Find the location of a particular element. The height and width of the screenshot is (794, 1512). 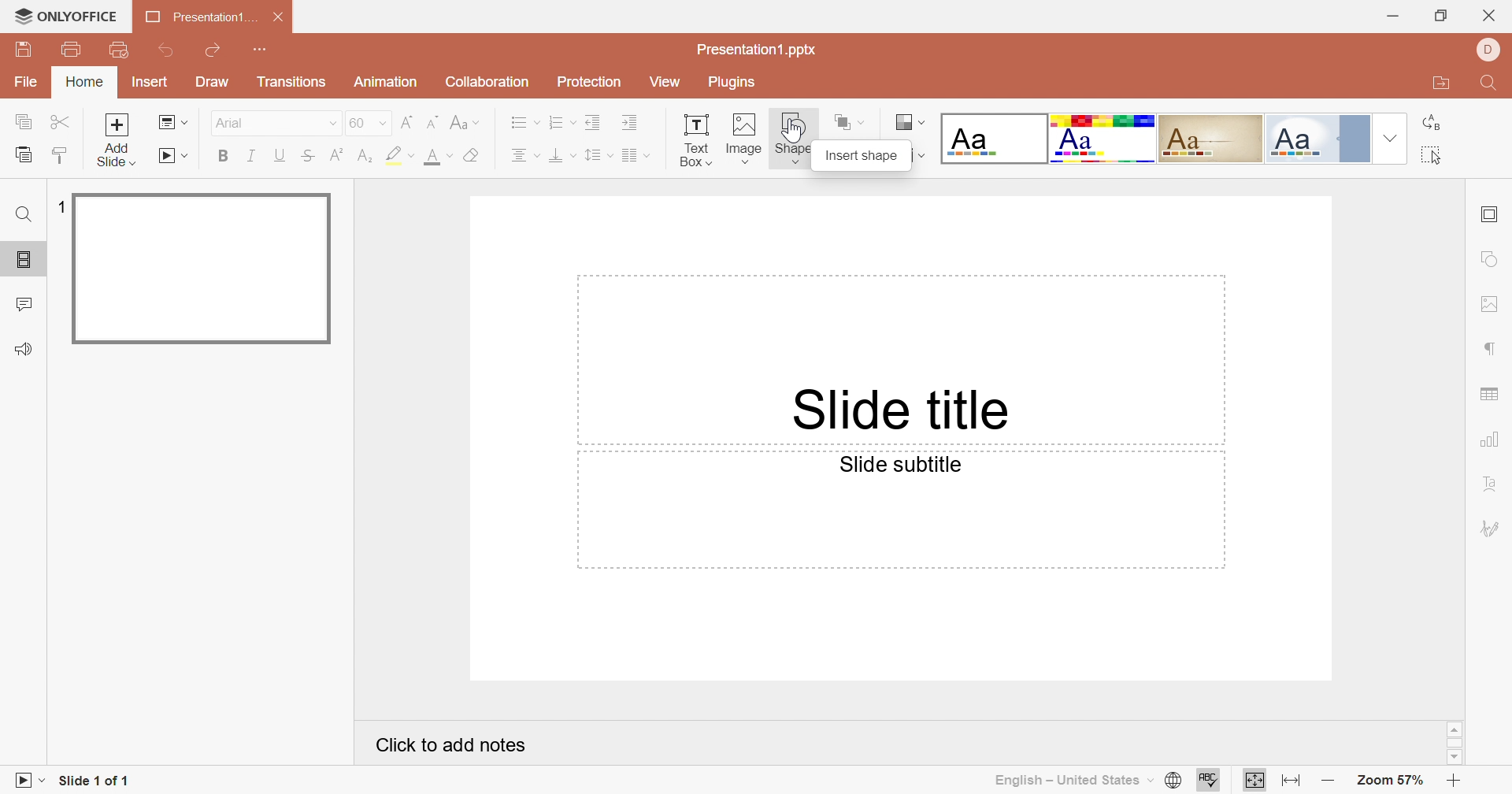

Redo is located at coordinates (211, 51).